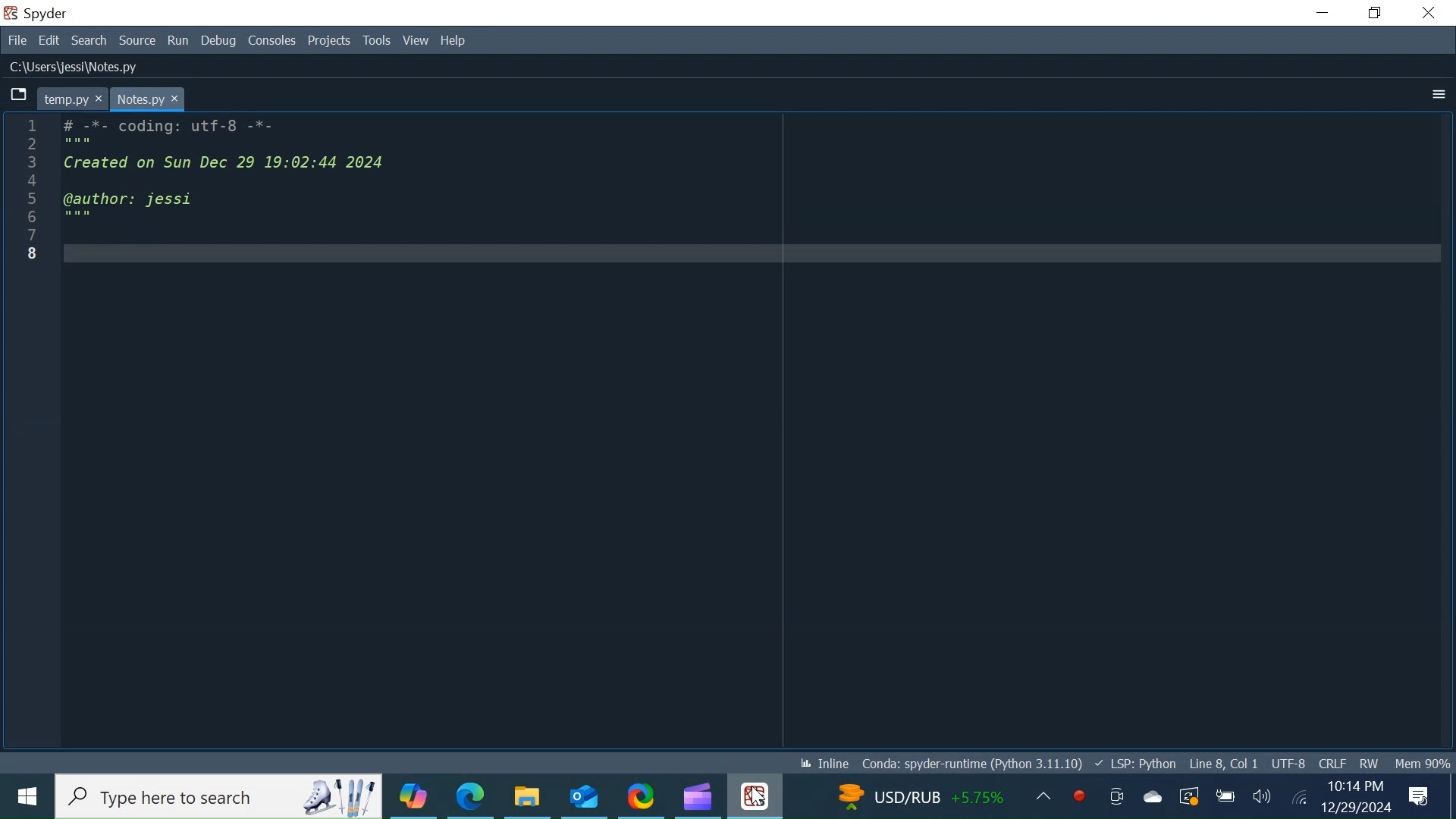 This screenshot has height=819, width=1456. What do you see at coordinates (973, 763) in the screenshot?
I see `Conda: spyder-runtime (Python 3.11.10)` at bounding box center [973, 763].